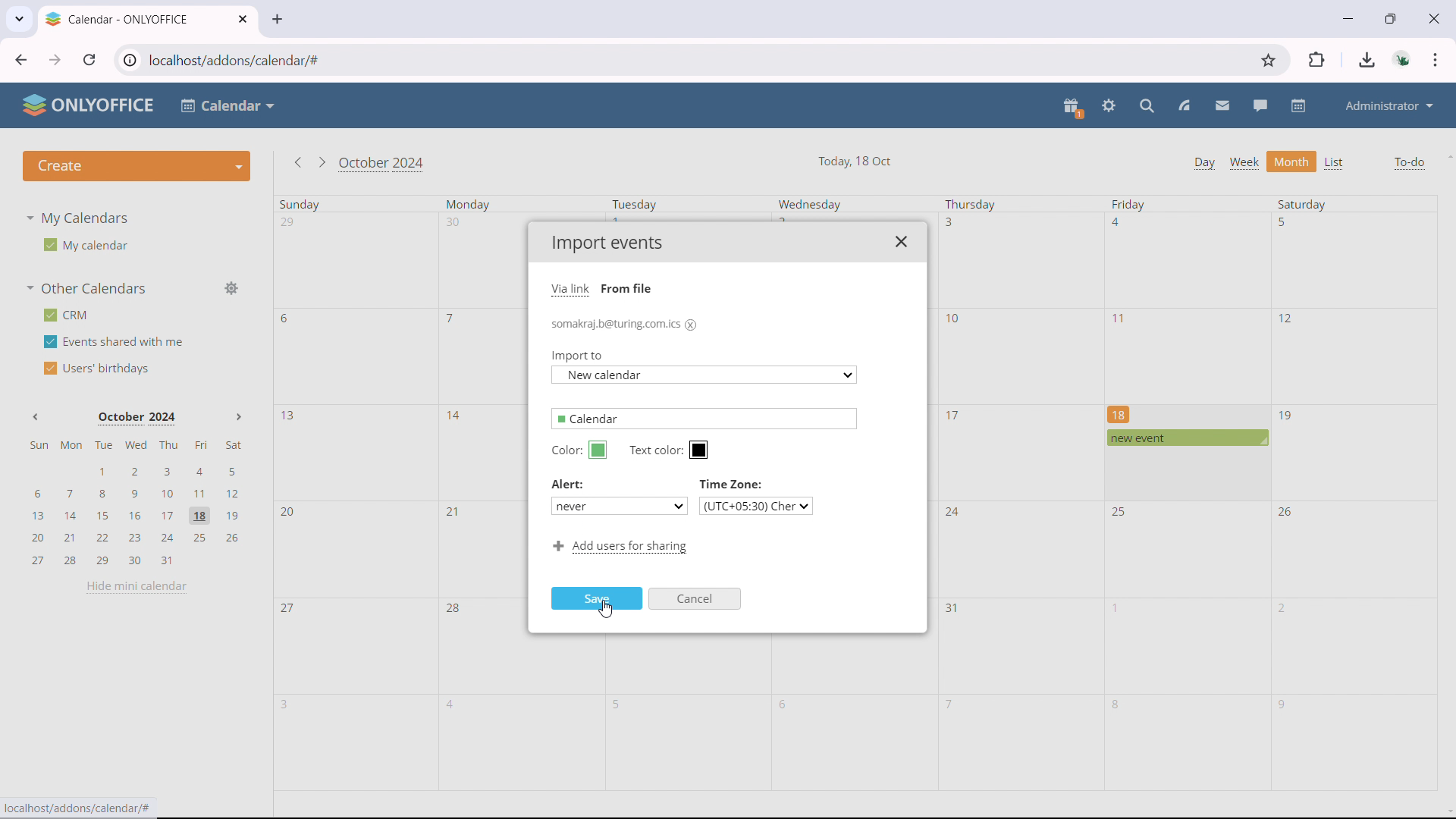 The width and height of the screenshot is (1456, 819). Describe the element at coordinates (584, 450) in the screenshot. I see `Color:` at that location.